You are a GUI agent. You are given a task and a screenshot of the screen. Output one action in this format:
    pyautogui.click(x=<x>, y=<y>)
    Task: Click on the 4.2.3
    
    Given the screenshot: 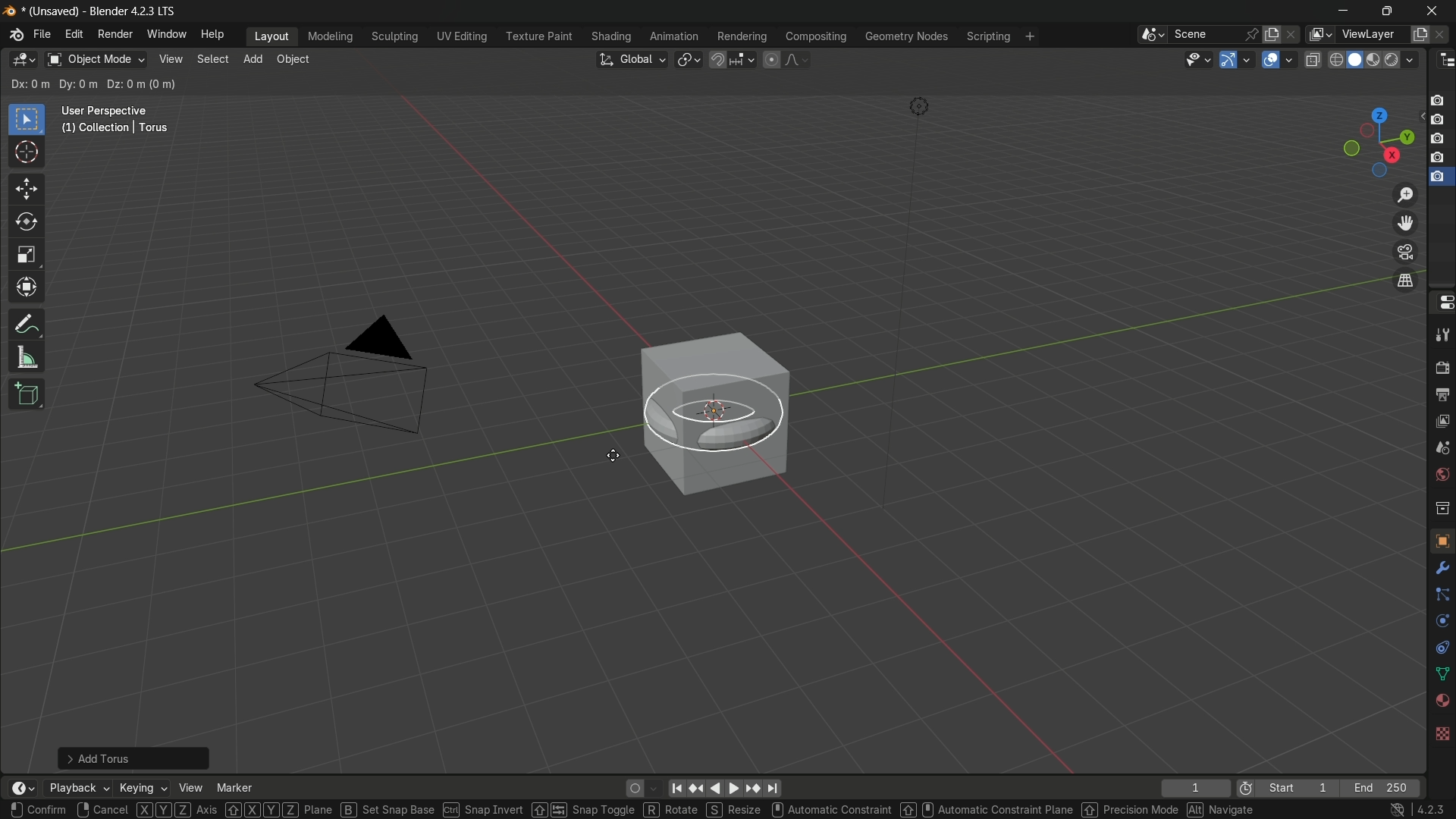 What is the action you would take?
    pyautogui.click(x=1431, y=810)
    